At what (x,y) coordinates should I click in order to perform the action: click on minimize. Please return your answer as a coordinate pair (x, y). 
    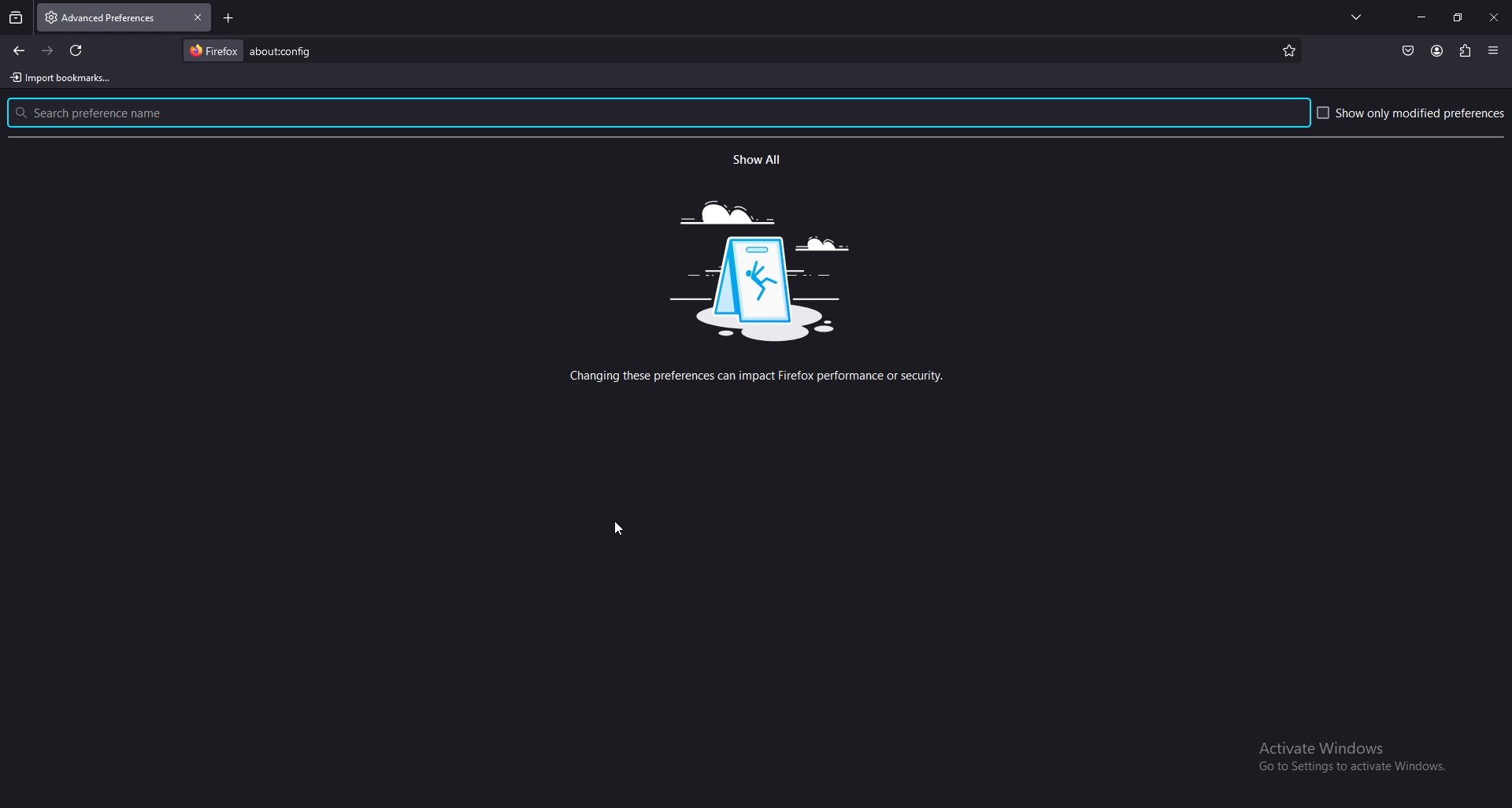
    Looking at the image, I should click on (1422, 17).